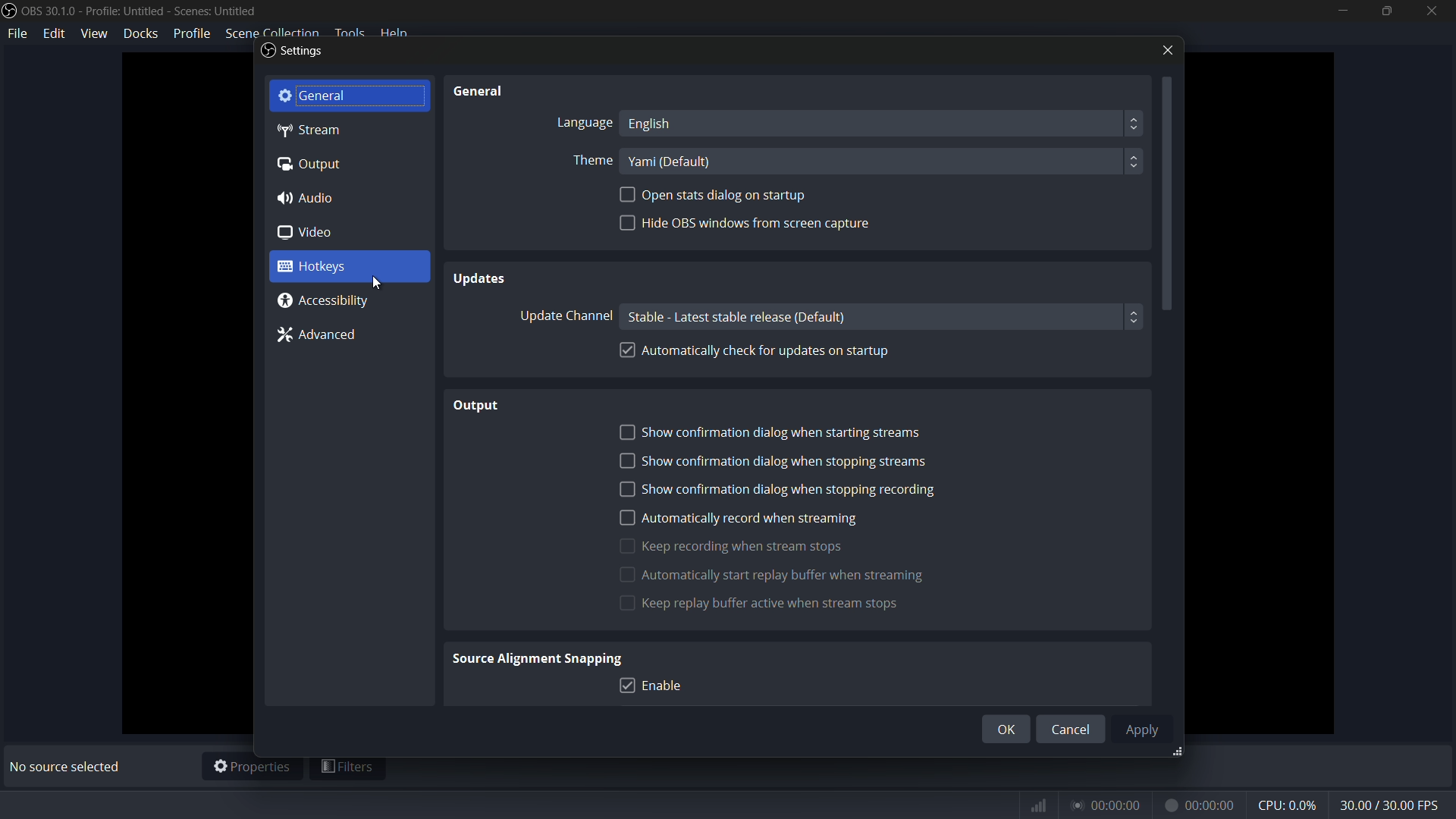  I want to click on close, so click(1168, 51).